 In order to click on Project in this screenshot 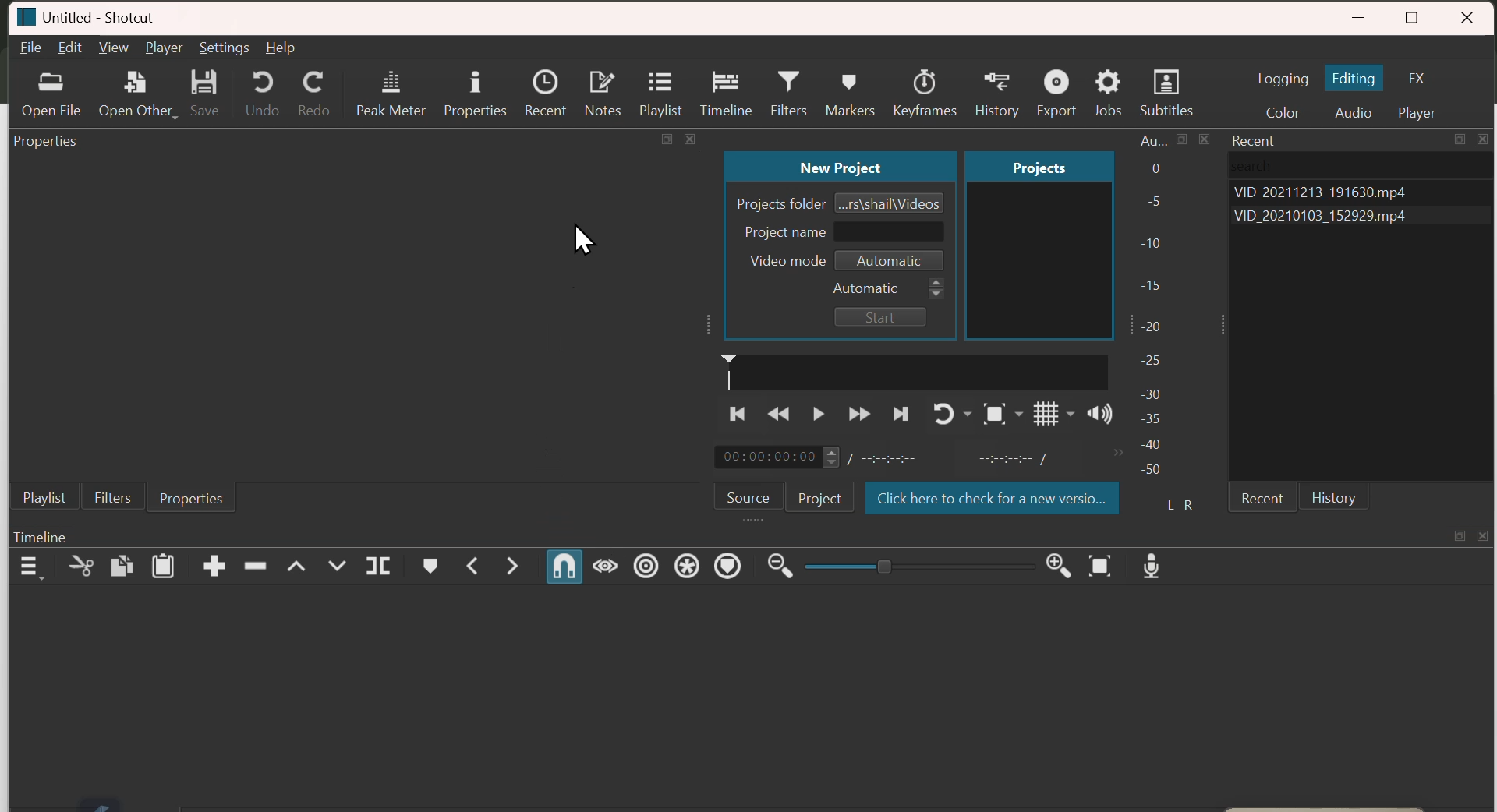, I will do `click(818, 498)`.